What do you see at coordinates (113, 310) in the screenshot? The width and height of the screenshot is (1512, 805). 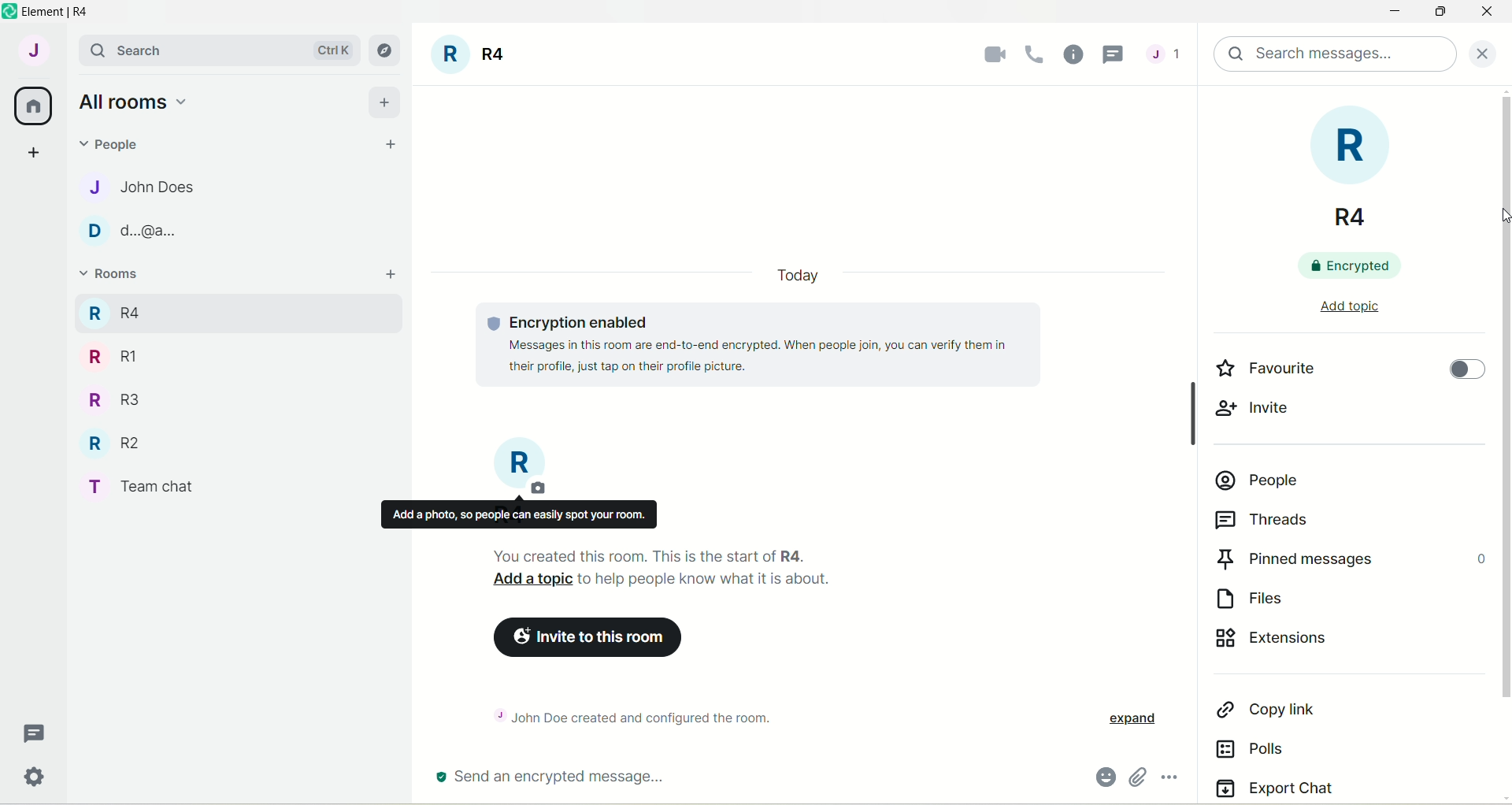 I see `R R4` at bounding box center [113, 310].